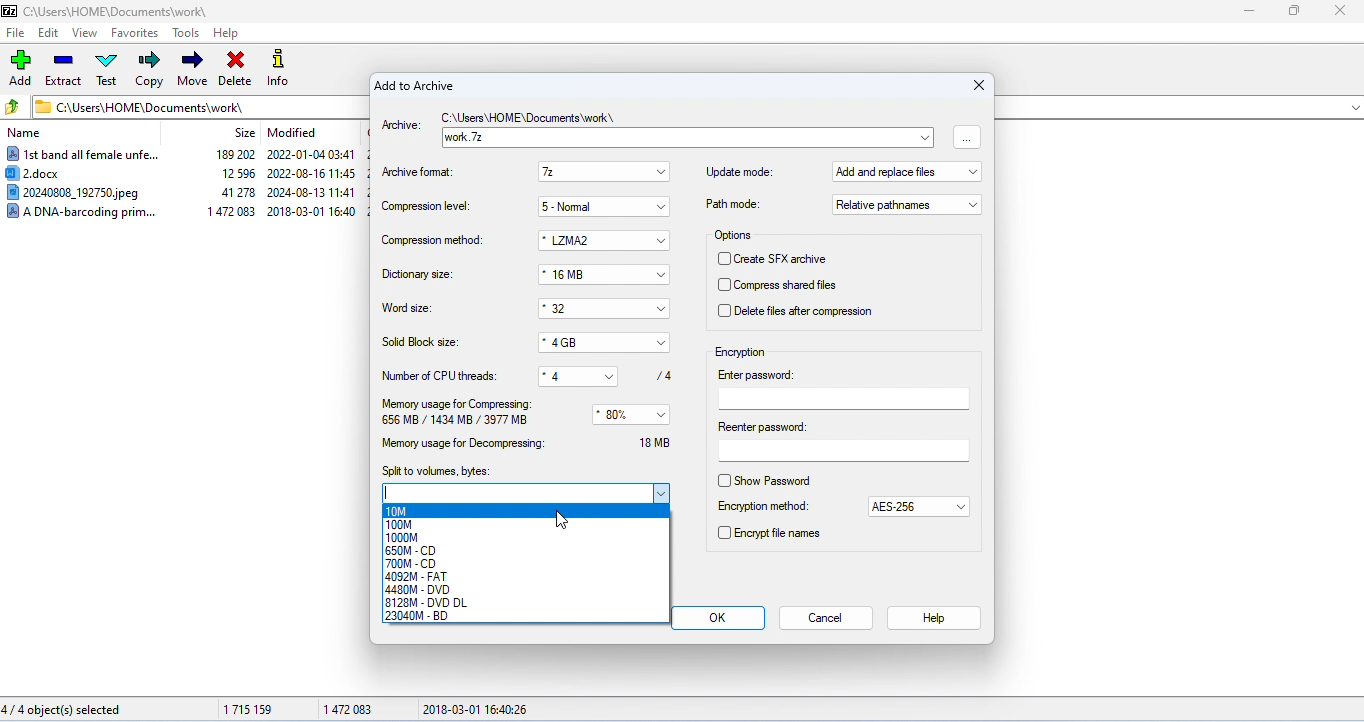 Image resolution: width=1364 pixels, height=722 pixels. Describe the element at coordinates (665, 207) in the screenshot. I see `drop down` at that location.